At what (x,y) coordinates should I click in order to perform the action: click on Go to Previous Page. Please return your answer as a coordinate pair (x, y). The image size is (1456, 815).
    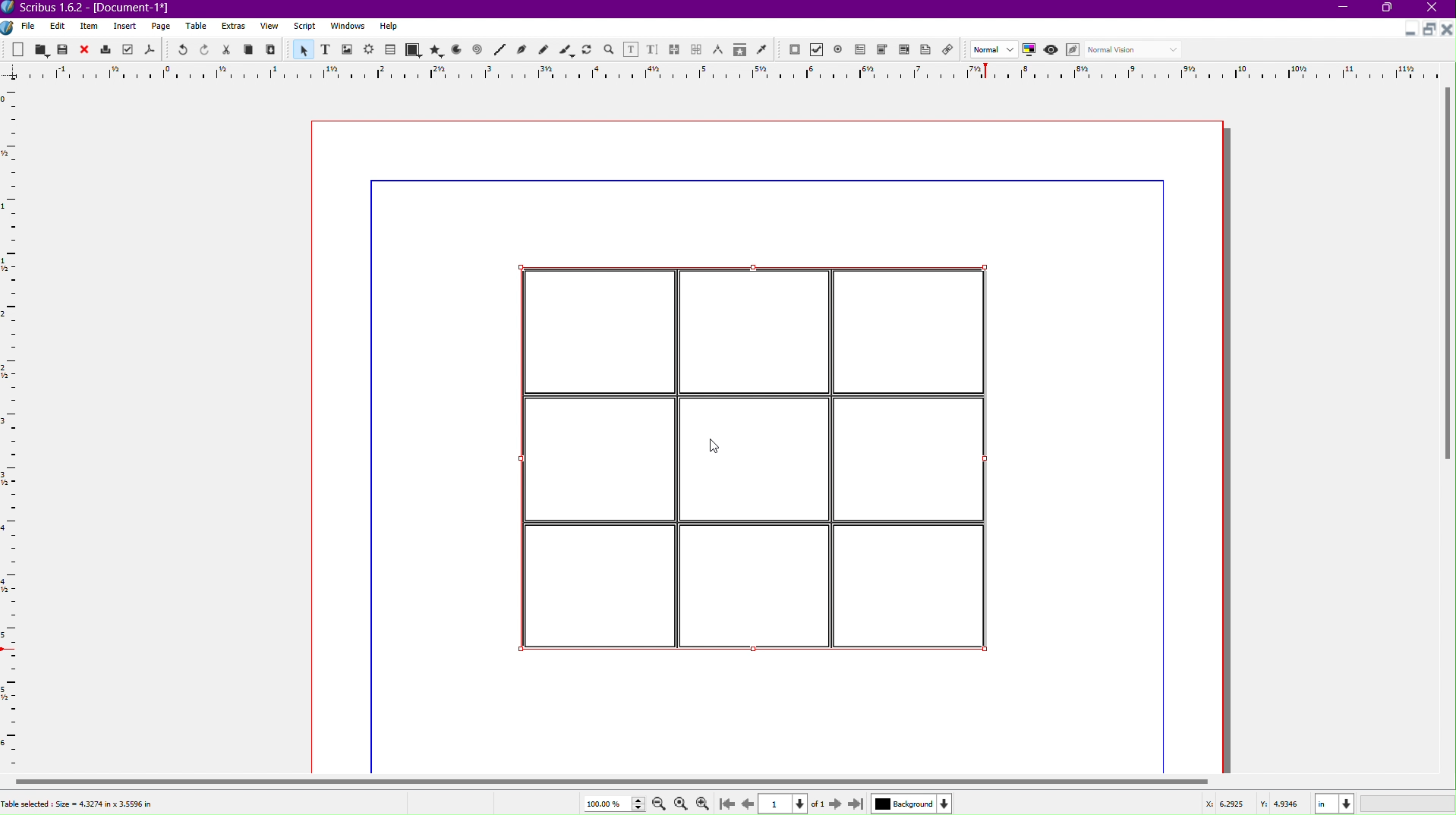
    Looking at the image, I should click on (747, 801).